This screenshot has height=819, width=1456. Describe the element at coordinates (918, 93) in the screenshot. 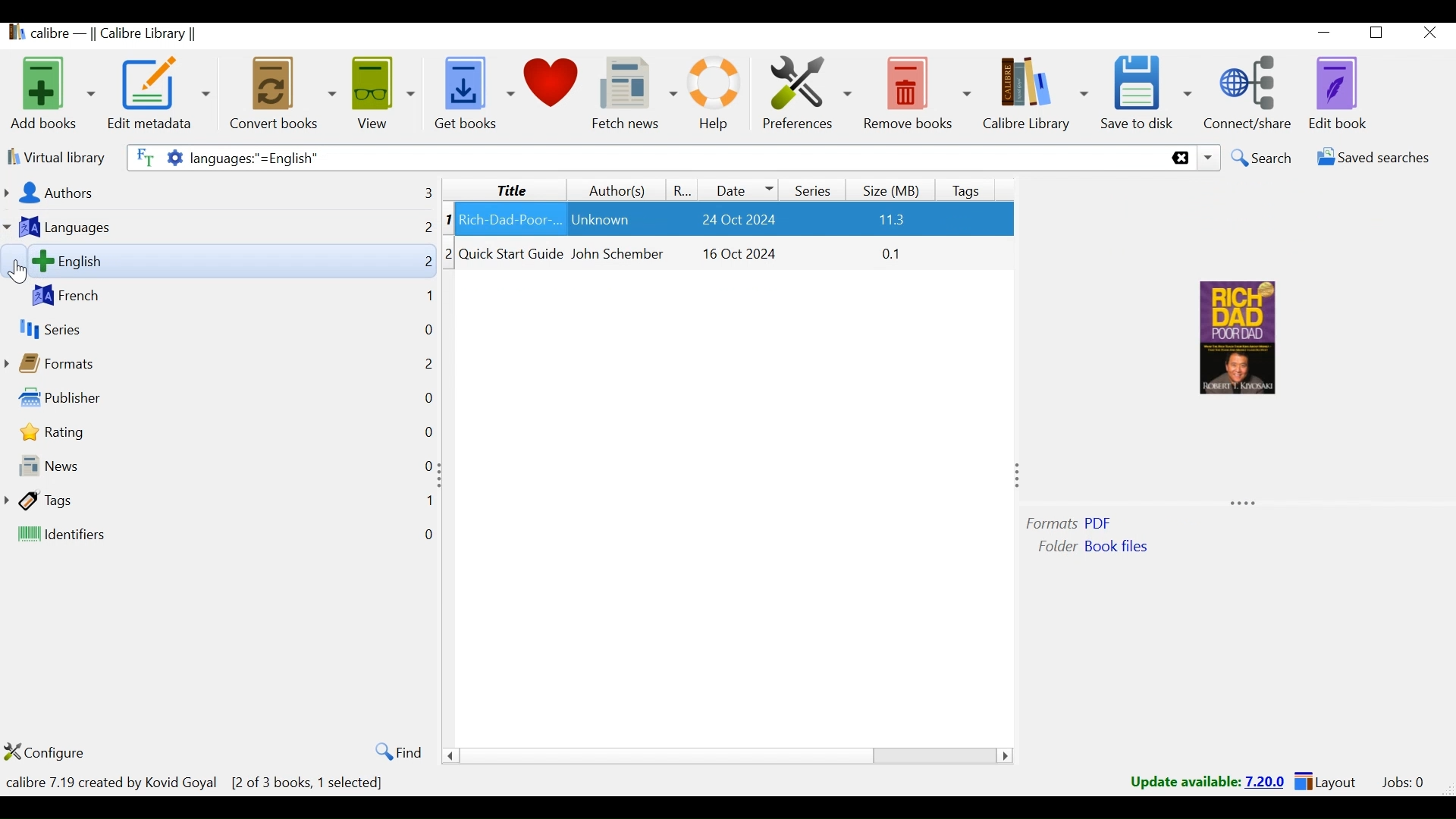

I see `Remove books` at that location.